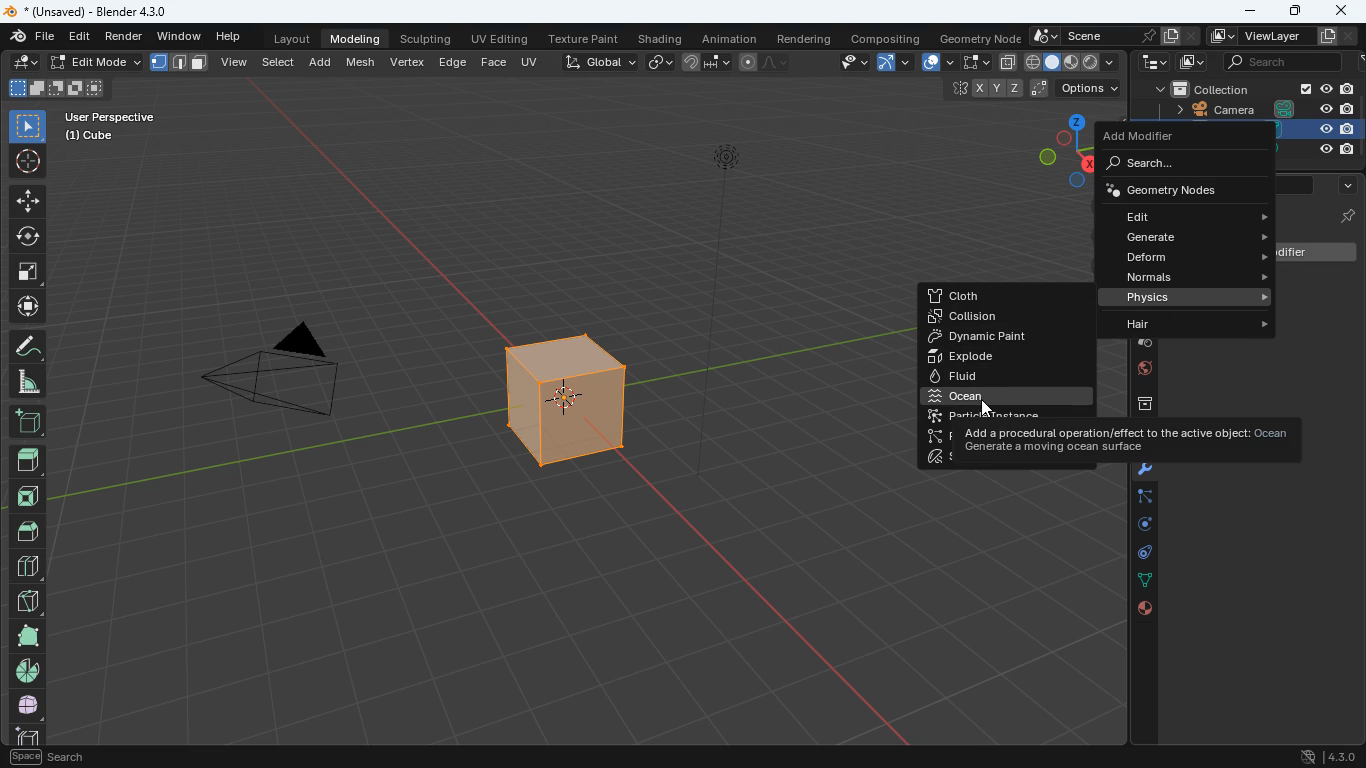 This screenshot has height=768, width=1366. Describe the element at coordinates (1342, 9) in the screenshot. I see `close` at that location.